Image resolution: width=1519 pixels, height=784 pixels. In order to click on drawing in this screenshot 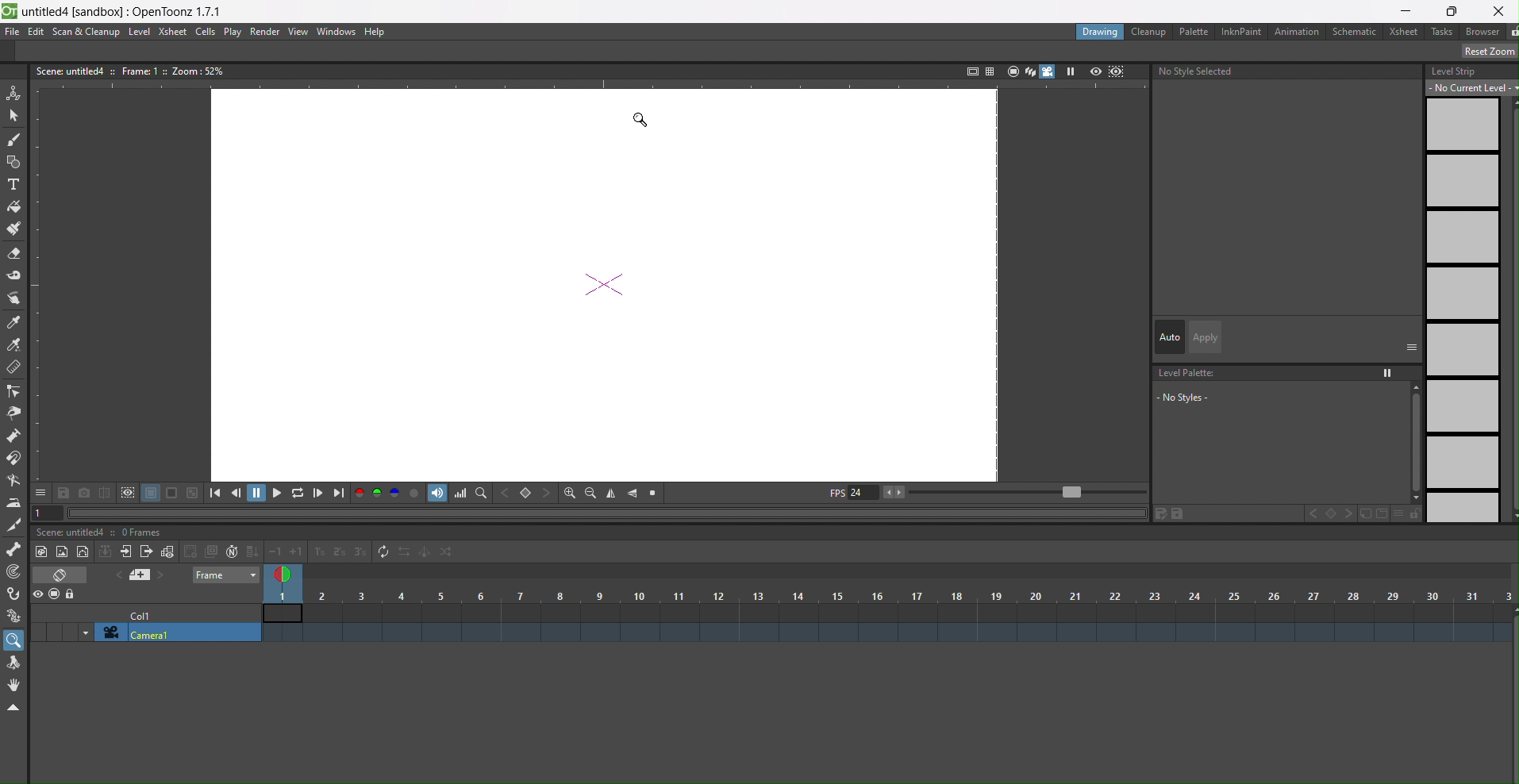, I will do `click(1101, 31)`.